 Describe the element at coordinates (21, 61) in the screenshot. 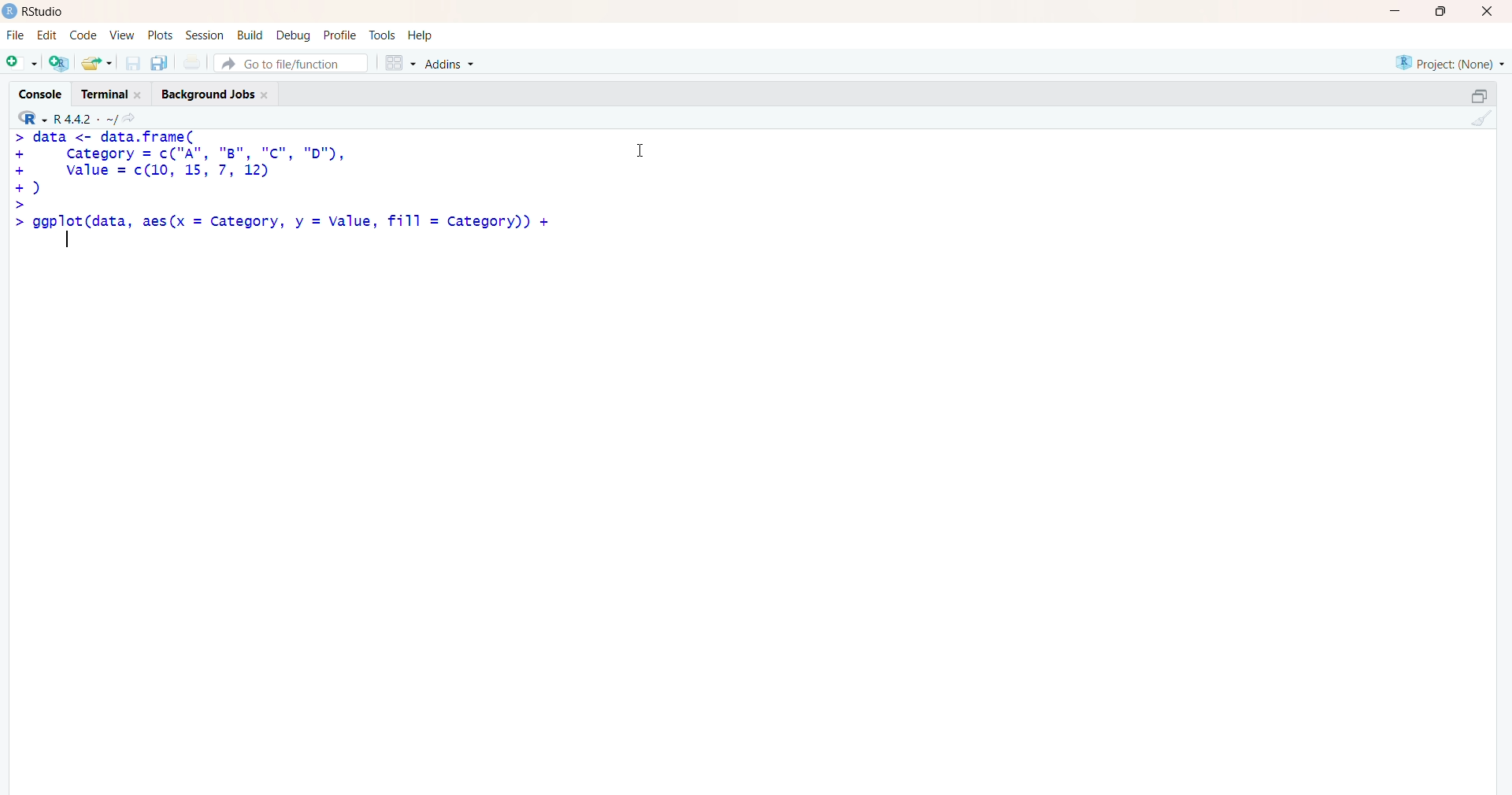

I see `new file` at that location.